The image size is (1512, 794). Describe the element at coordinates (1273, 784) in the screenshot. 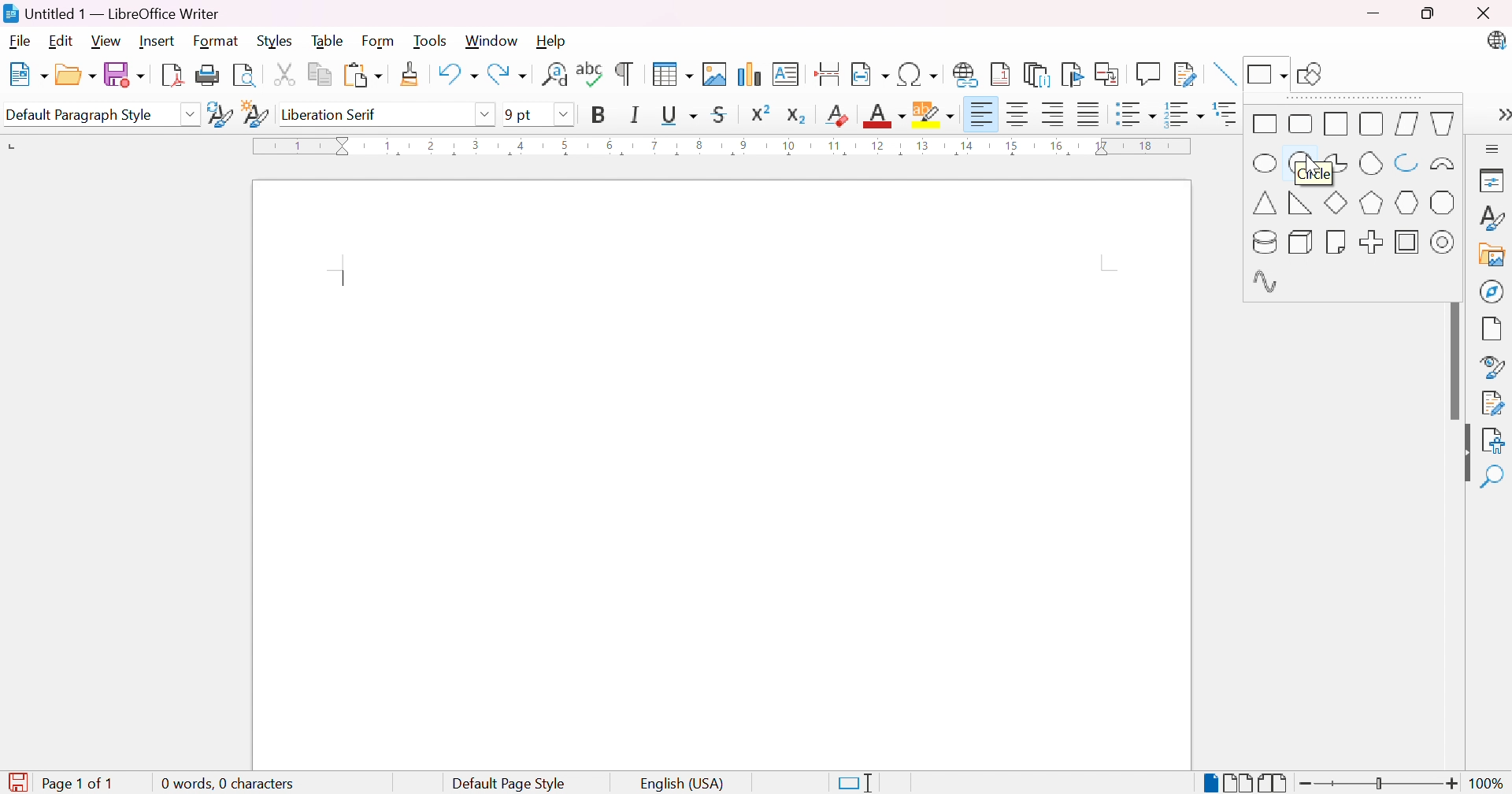

I see `Book view` at that location.